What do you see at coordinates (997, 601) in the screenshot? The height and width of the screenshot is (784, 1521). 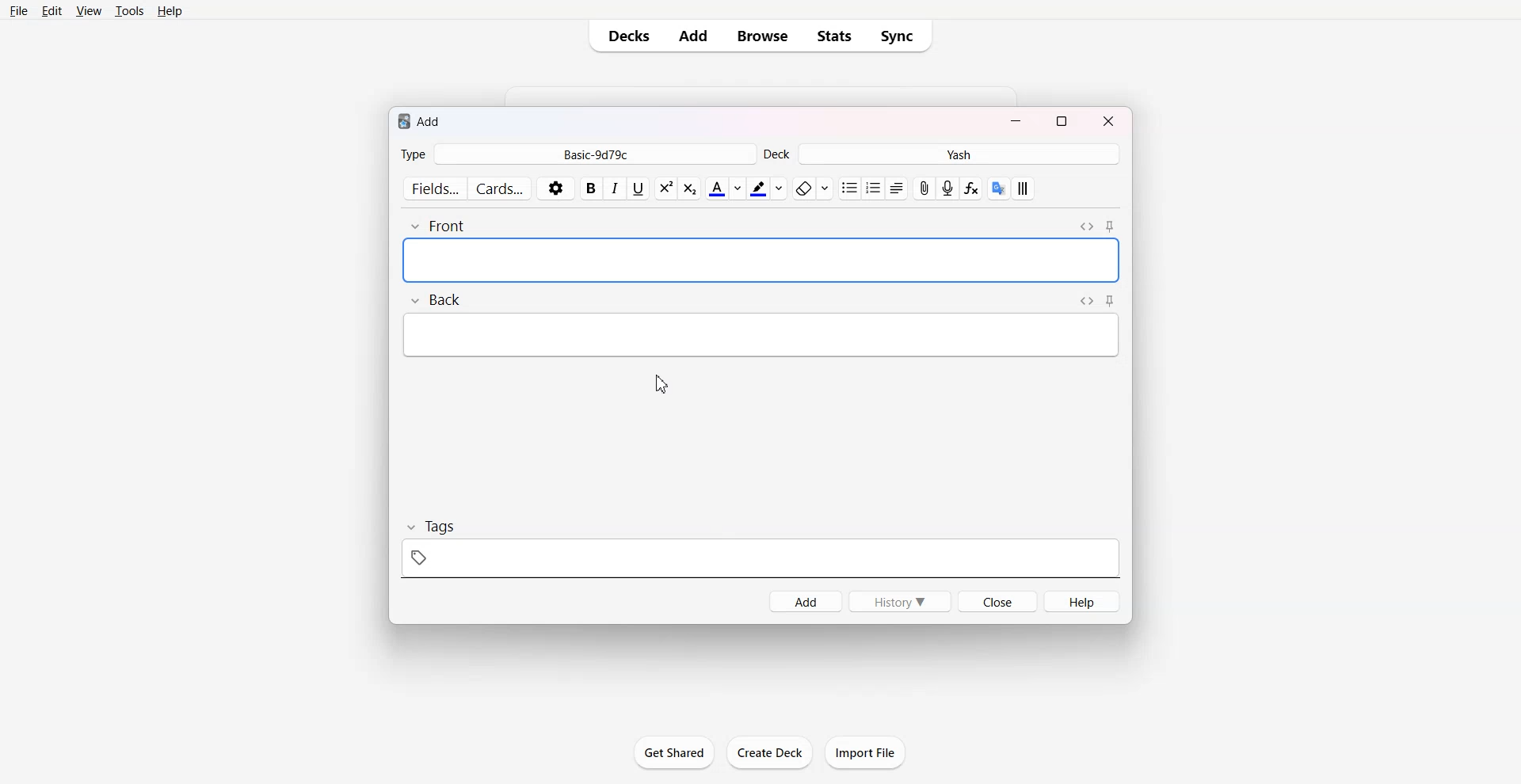 I see `Close` at bounding box center [997, 601].